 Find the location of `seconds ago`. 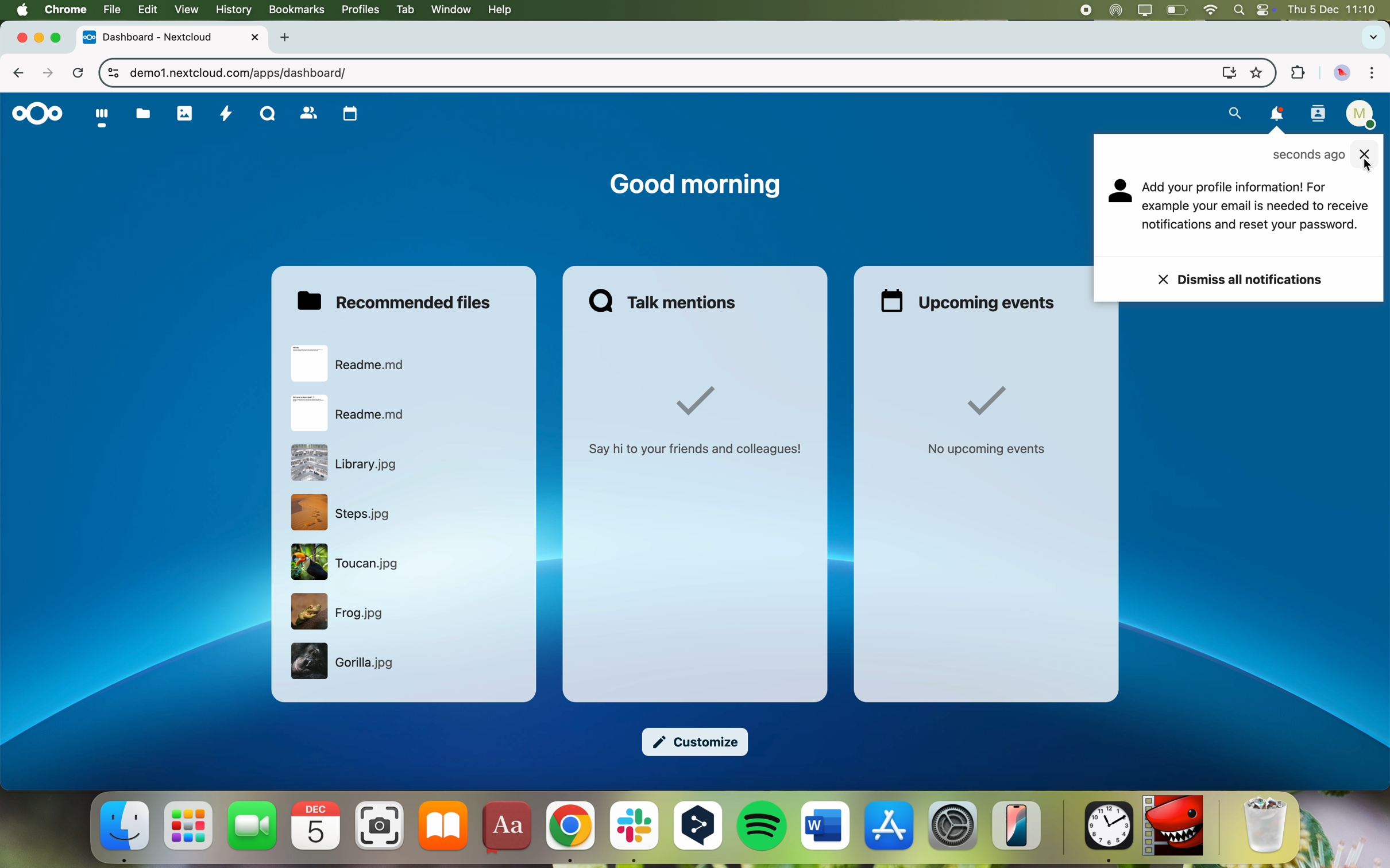

seconds ago is located at coordinates (1308, 156).